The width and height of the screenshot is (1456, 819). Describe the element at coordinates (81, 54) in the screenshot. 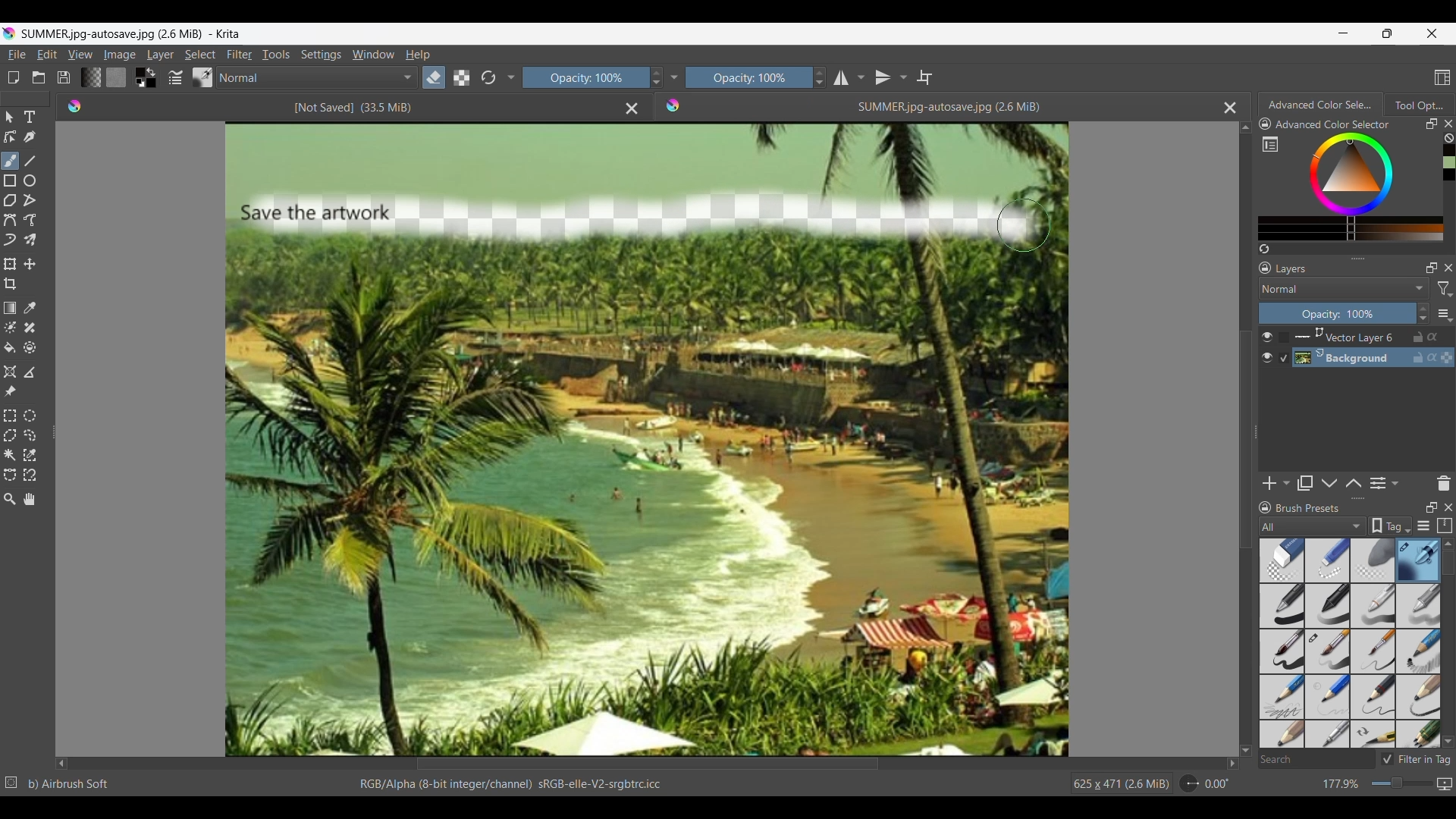

I see `View` at that location.